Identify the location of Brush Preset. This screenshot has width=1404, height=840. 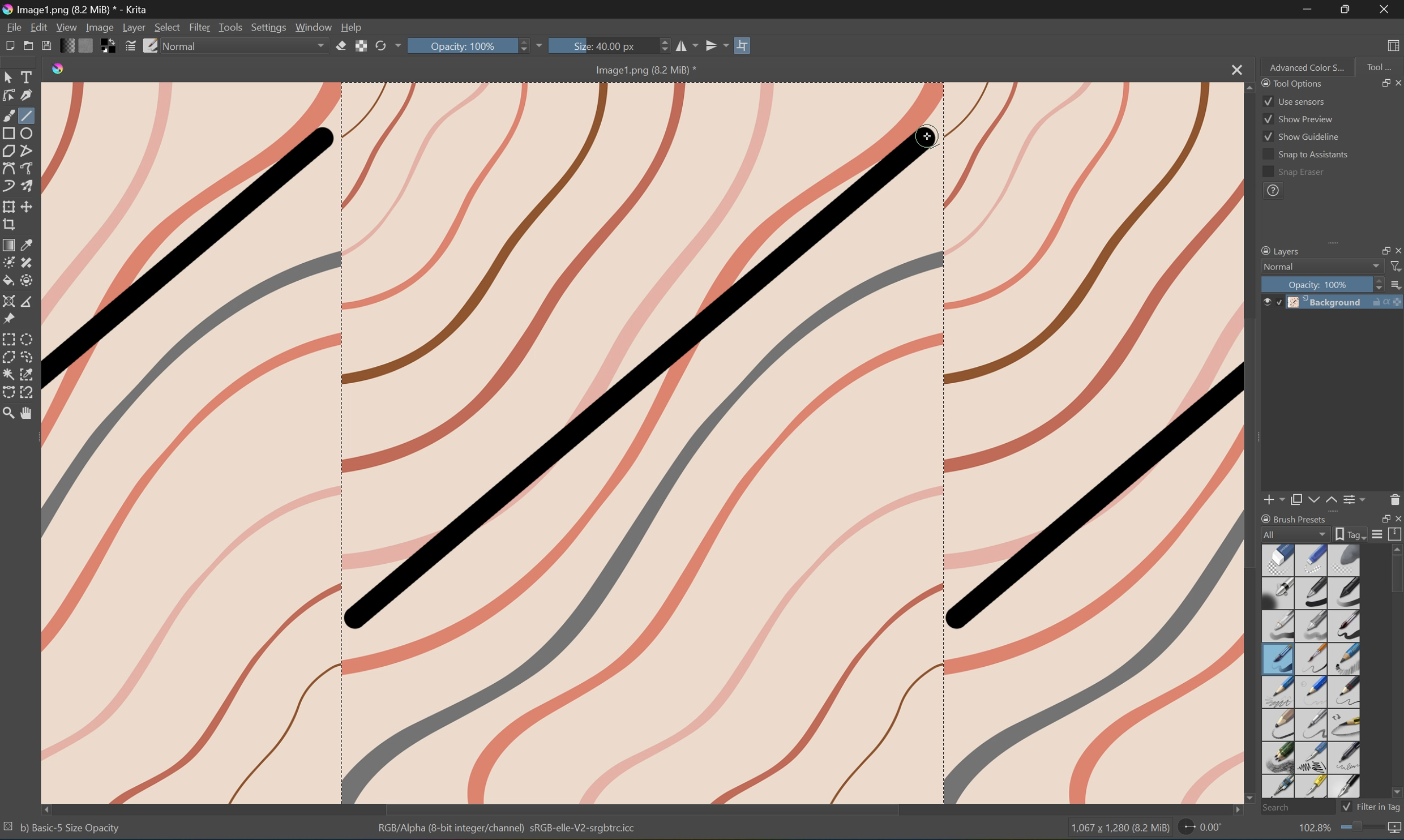
(1294, 517).